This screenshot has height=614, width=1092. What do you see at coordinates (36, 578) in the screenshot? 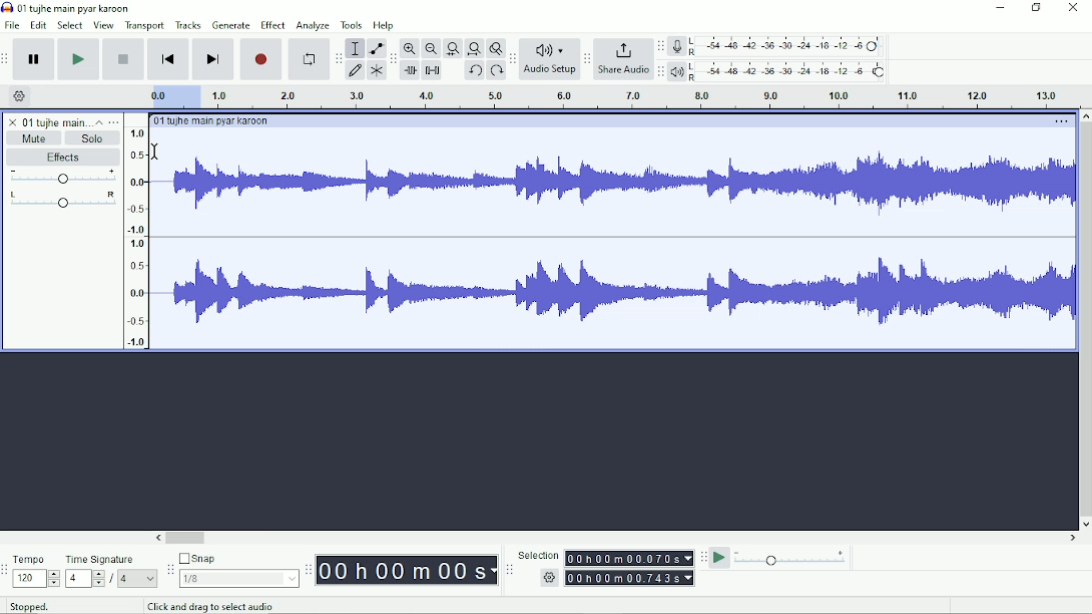
I see `Tempo Range` at bounding box center [36, 578].